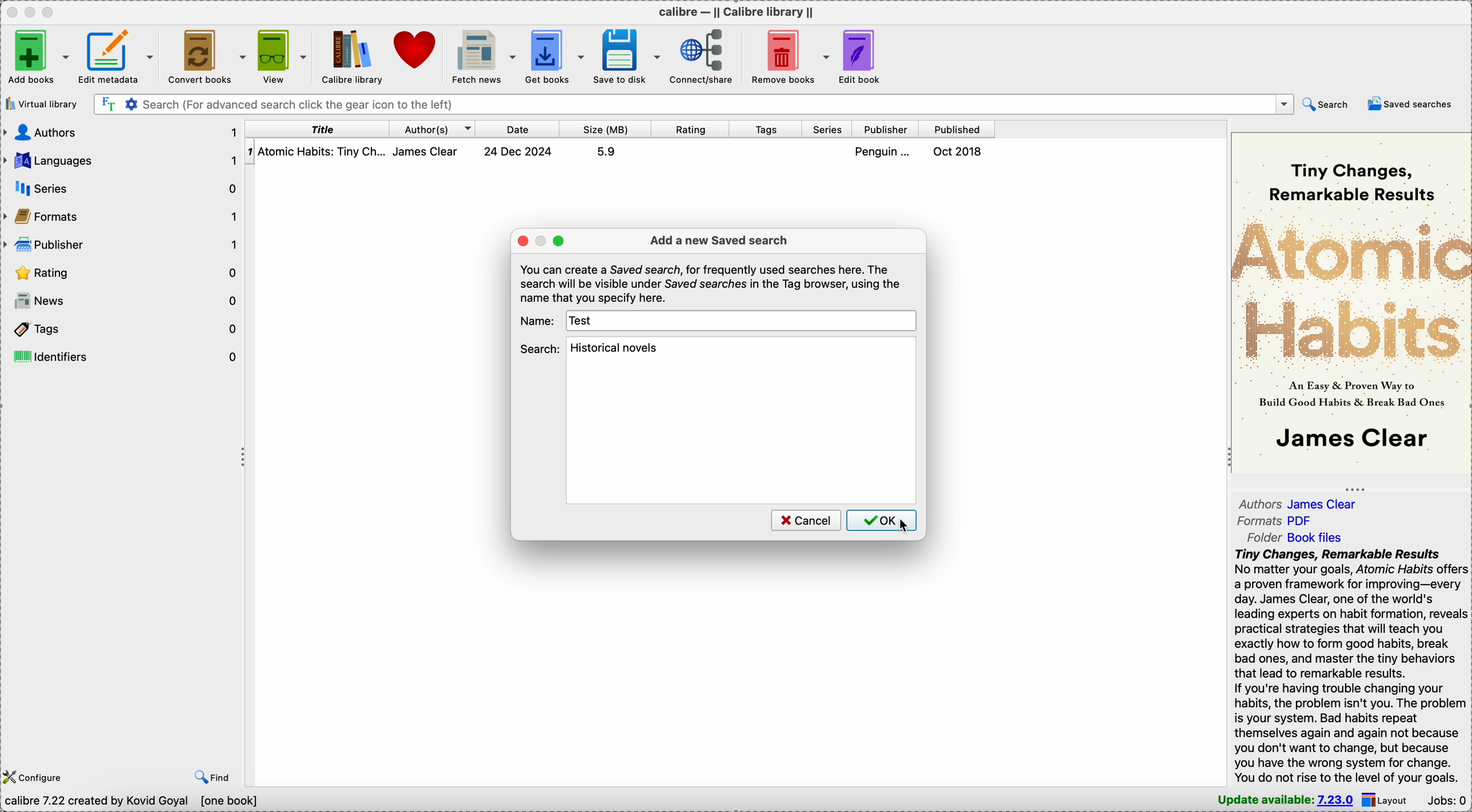 The height and width of the screenshot is (812, 1472). Describe the element at coordinates (959, 151) in the screenshot. I see `Oct 2018` at that location.